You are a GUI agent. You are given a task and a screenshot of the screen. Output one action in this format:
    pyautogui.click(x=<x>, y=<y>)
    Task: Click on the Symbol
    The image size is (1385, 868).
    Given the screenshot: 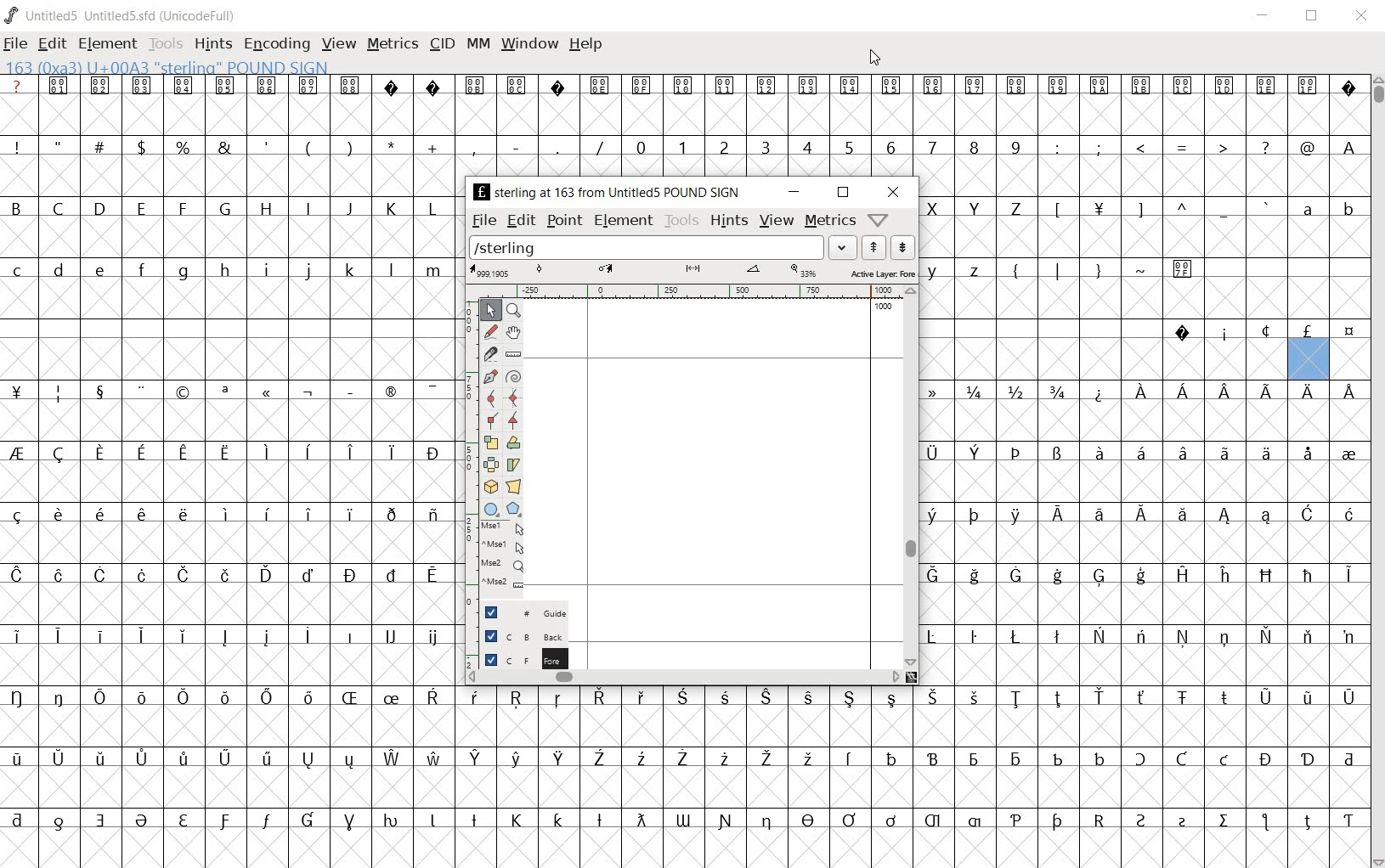 What is the action you would take?
    pyautogui.click(x=20, y=576)
    